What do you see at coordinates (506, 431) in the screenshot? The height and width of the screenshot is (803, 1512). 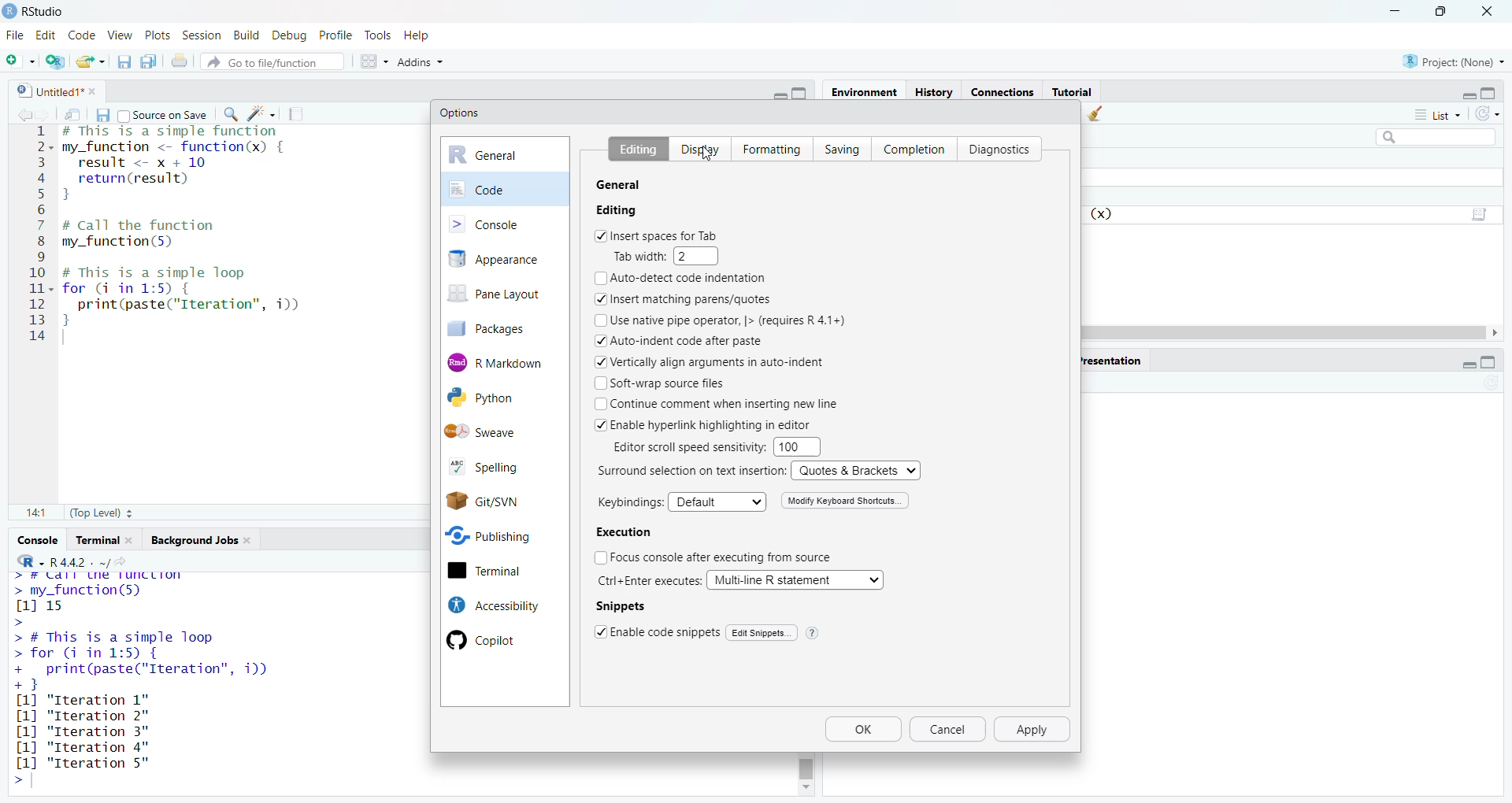 I see `Sweave` at bounding box center [506, 431].